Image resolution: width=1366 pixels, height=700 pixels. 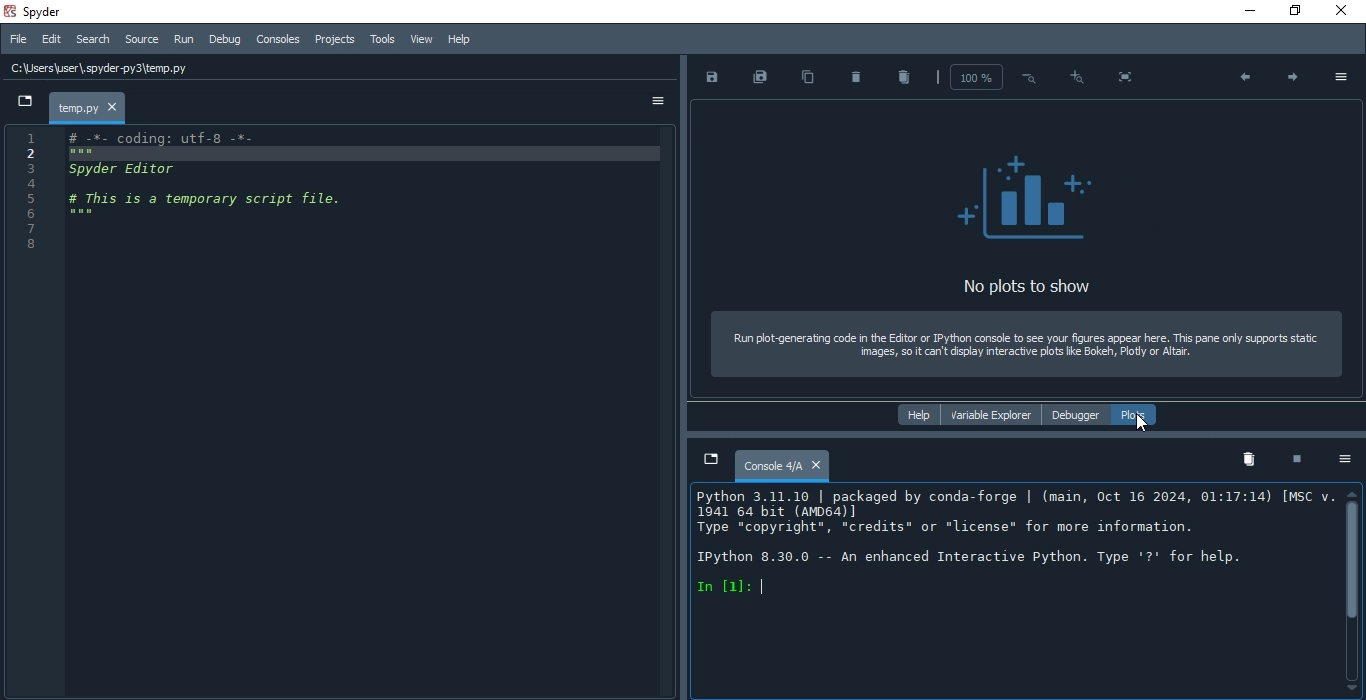 I want to click on File , so click(x=17, y=39).